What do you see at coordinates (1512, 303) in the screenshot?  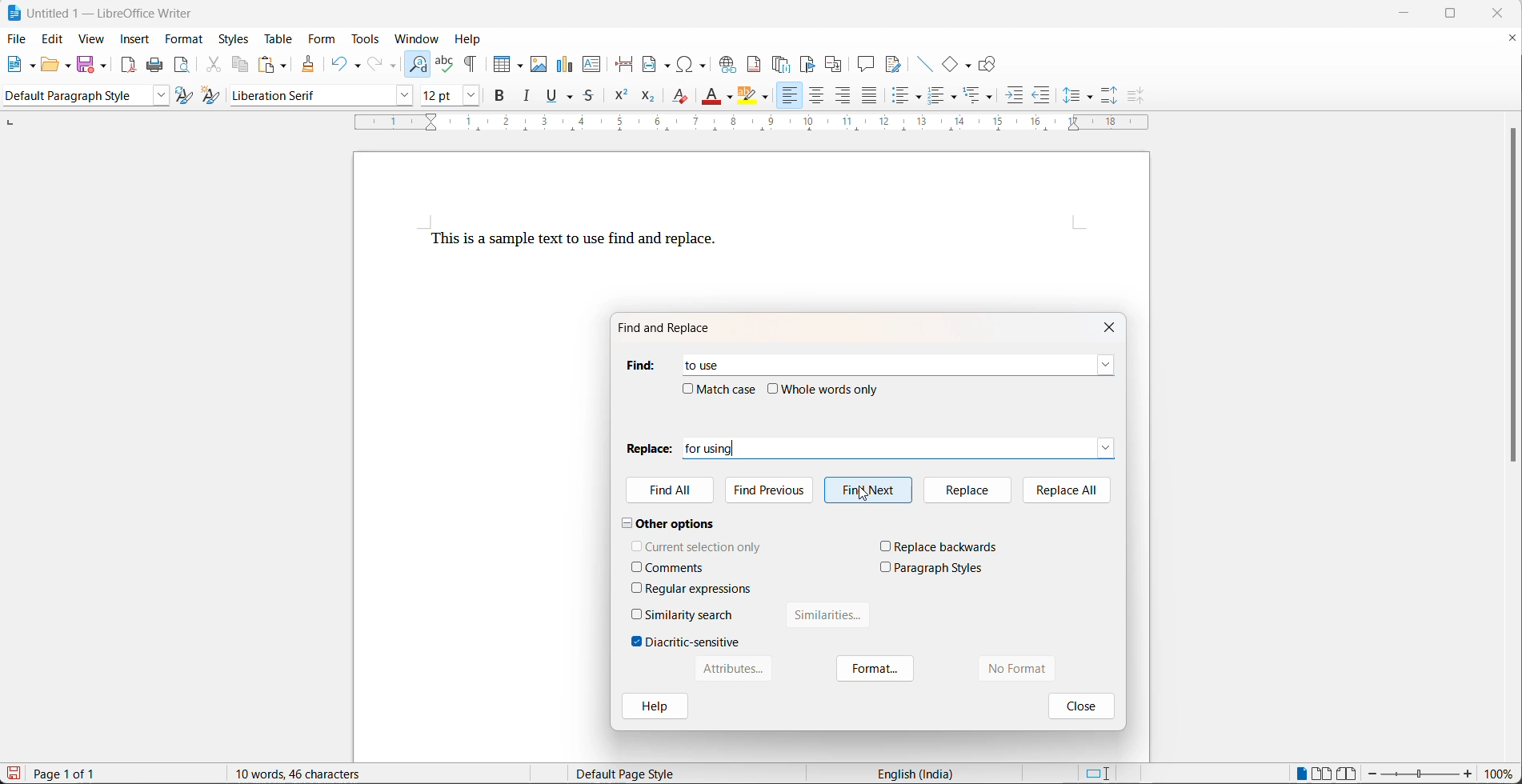 I see `scroll bar` at bounding box center [1512, 303].